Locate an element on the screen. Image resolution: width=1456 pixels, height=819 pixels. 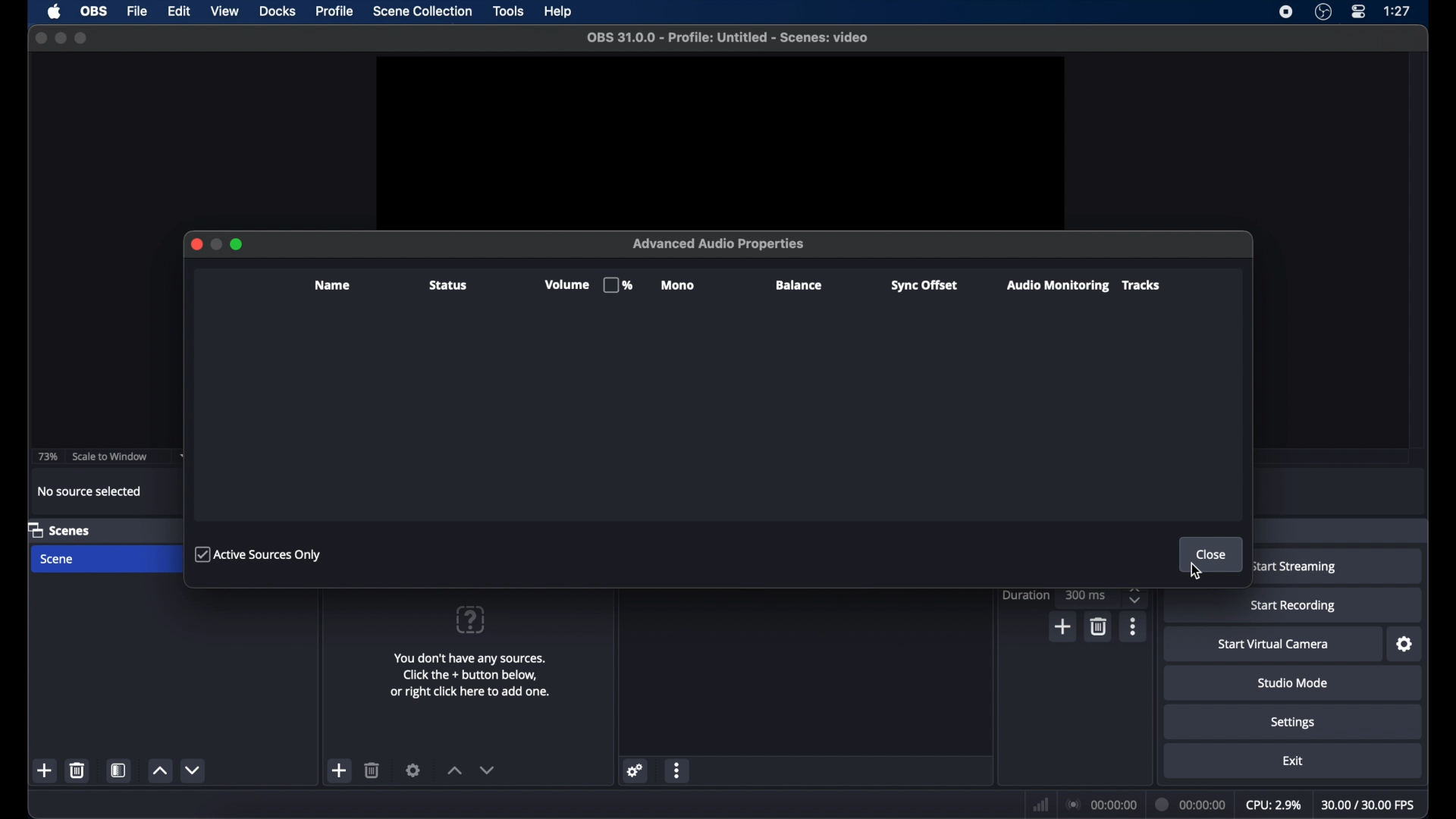
name is located at coordinates (333, 285).